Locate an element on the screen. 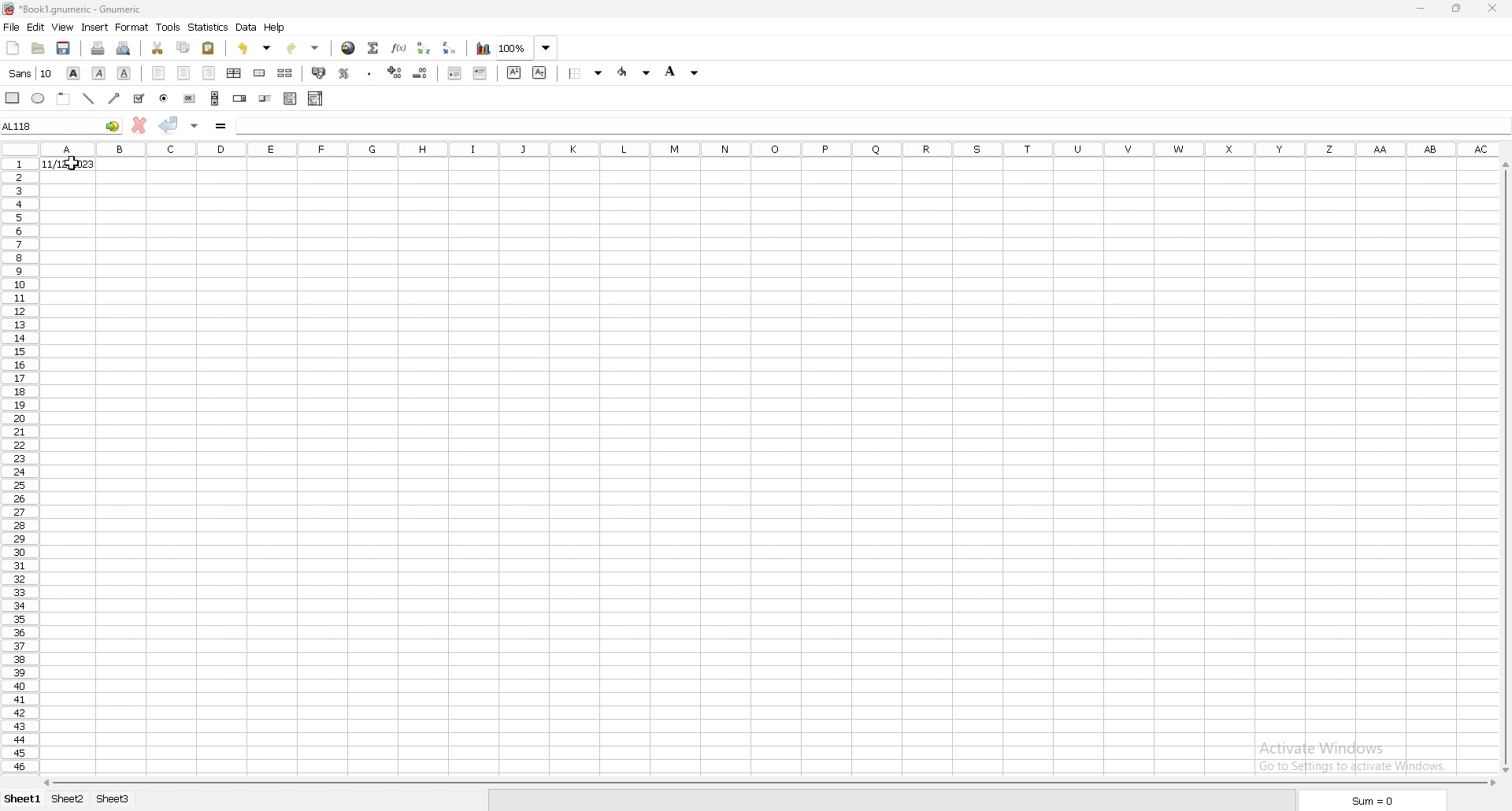 The height and width of the screenshot is (811, 1512). spin button is located at coordinates (241, 98).